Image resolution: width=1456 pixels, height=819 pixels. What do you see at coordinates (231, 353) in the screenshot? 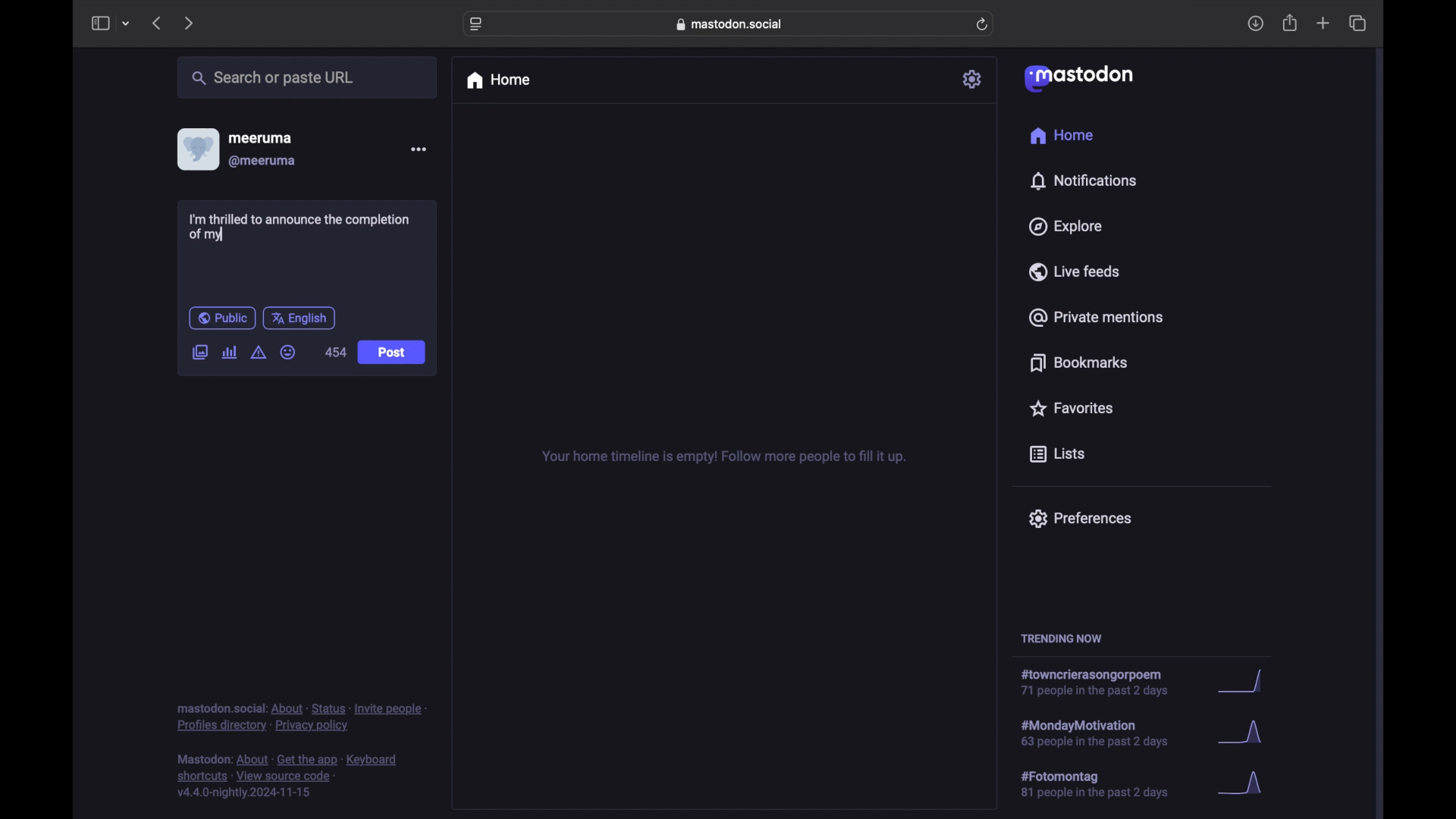
I see `add poll` at bounding box center [231, 353].